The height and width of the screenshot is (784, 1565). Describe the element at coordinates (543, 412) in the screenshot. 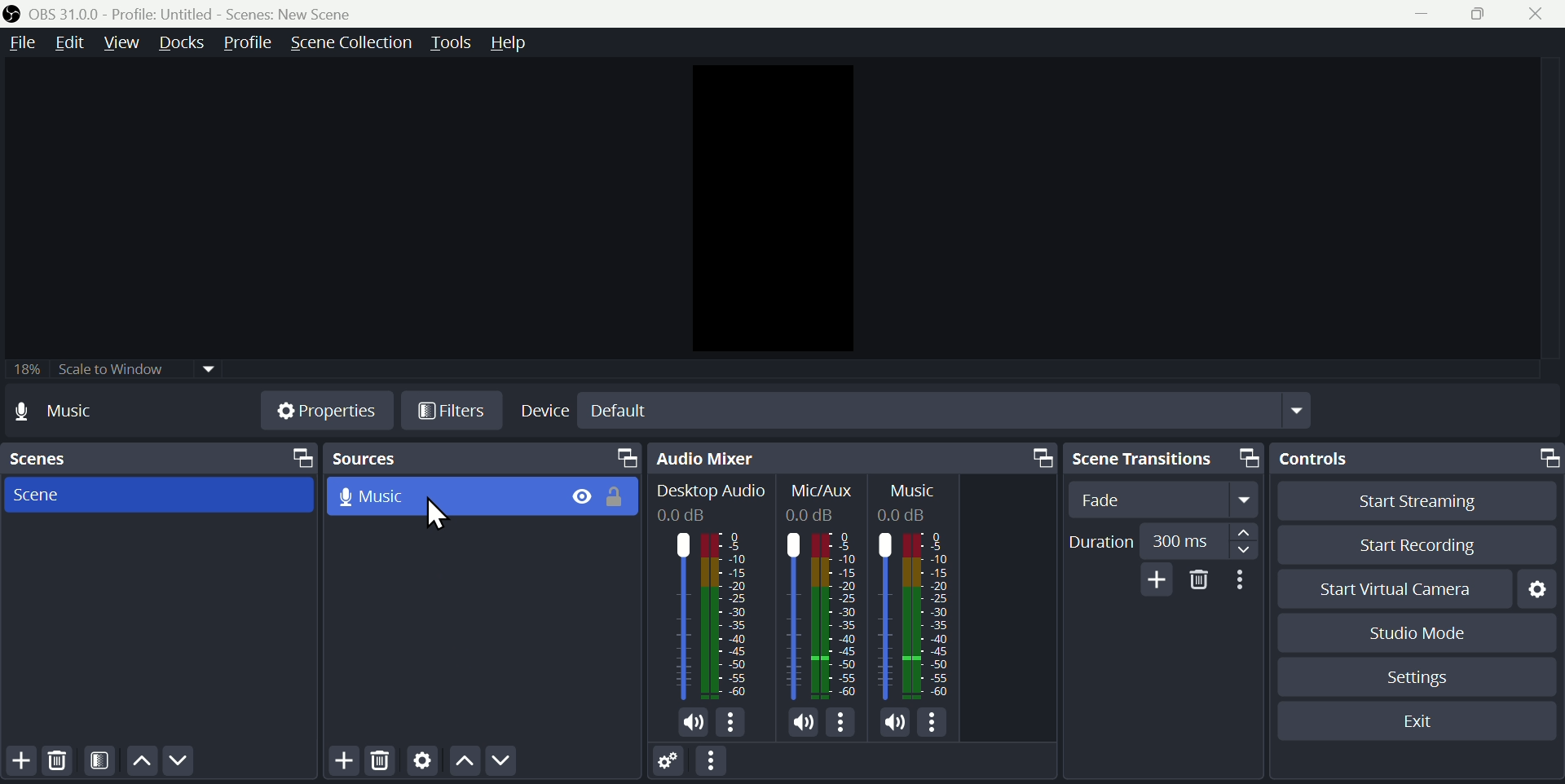

I see `Device` at that location.